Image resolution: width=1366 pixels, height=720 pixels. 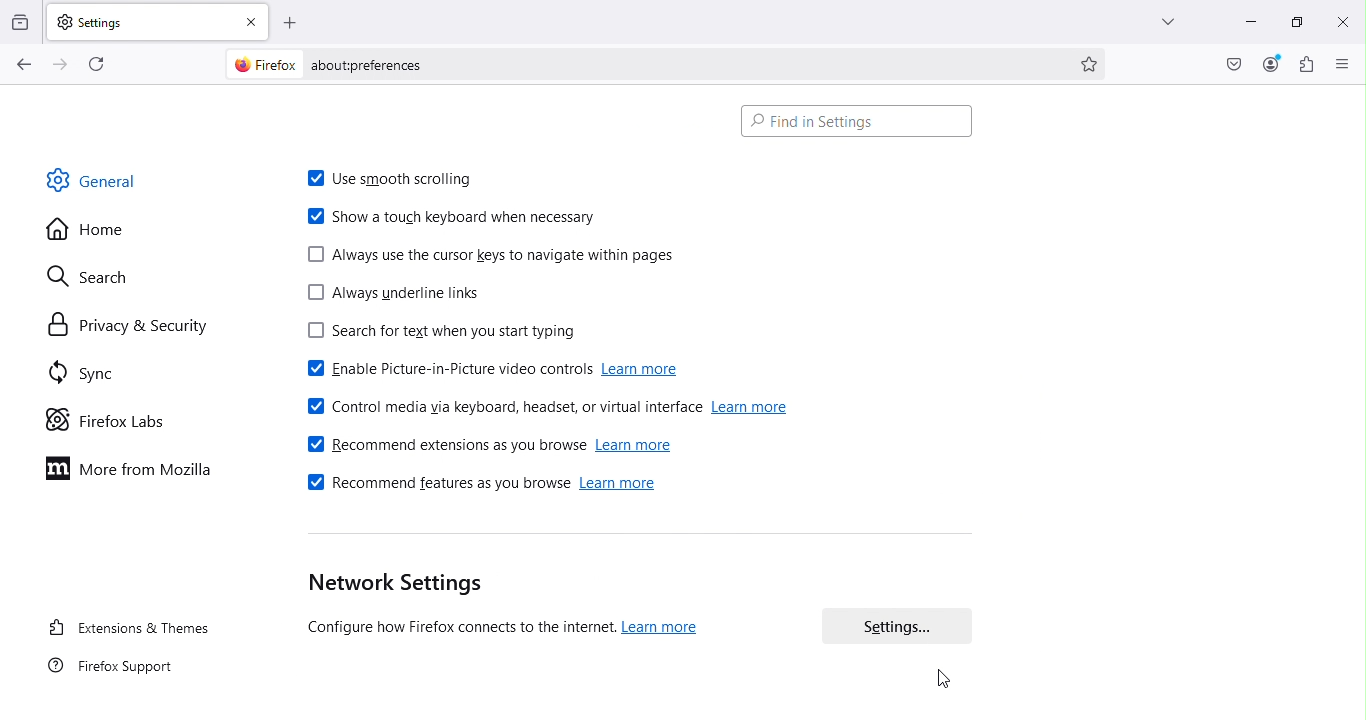 I want to click on Open application menu, so click(x=1345, y=65).